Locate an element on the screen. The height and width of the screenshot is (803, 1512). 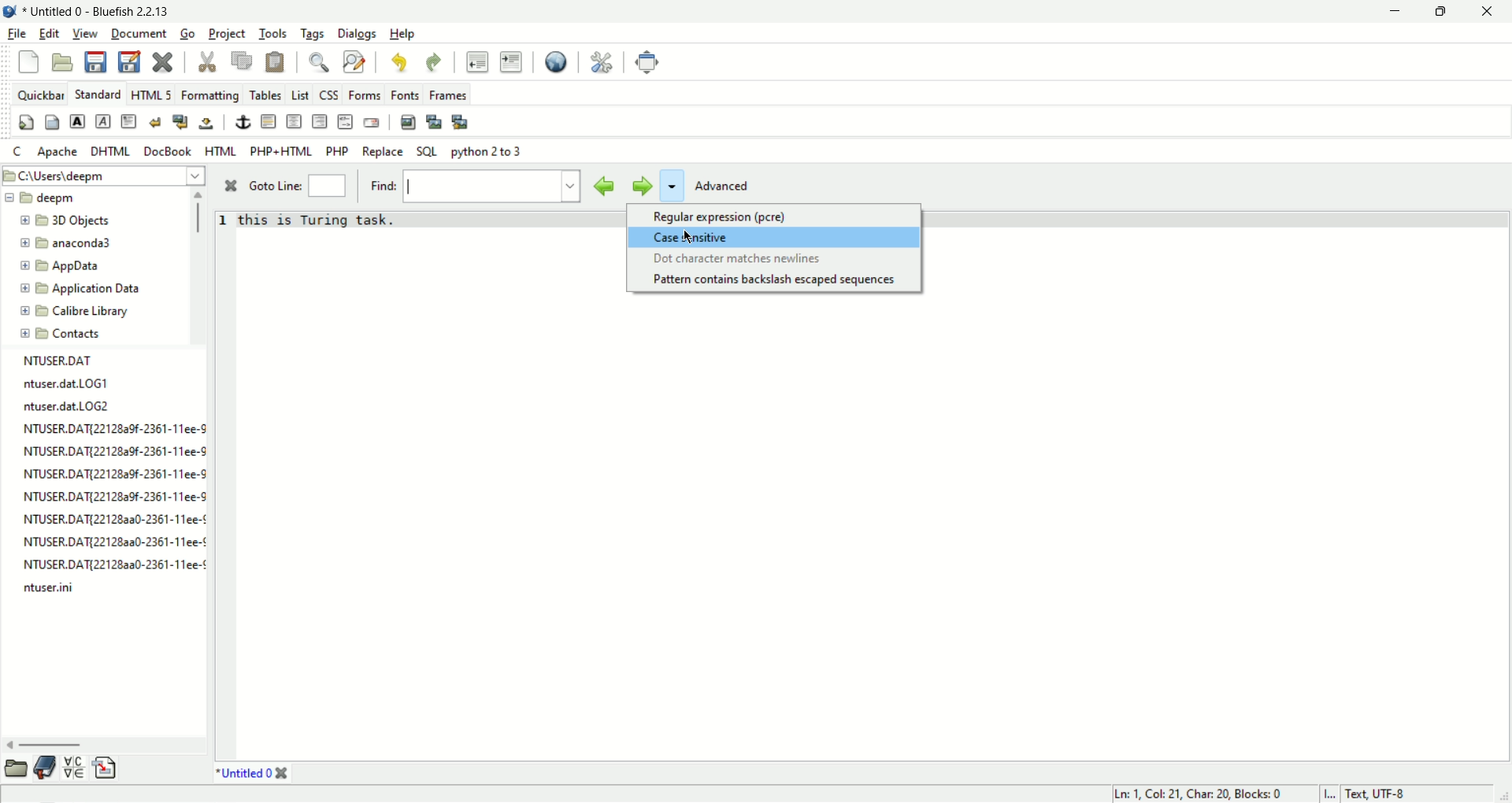
snippets is located at coordinates (106, 771).